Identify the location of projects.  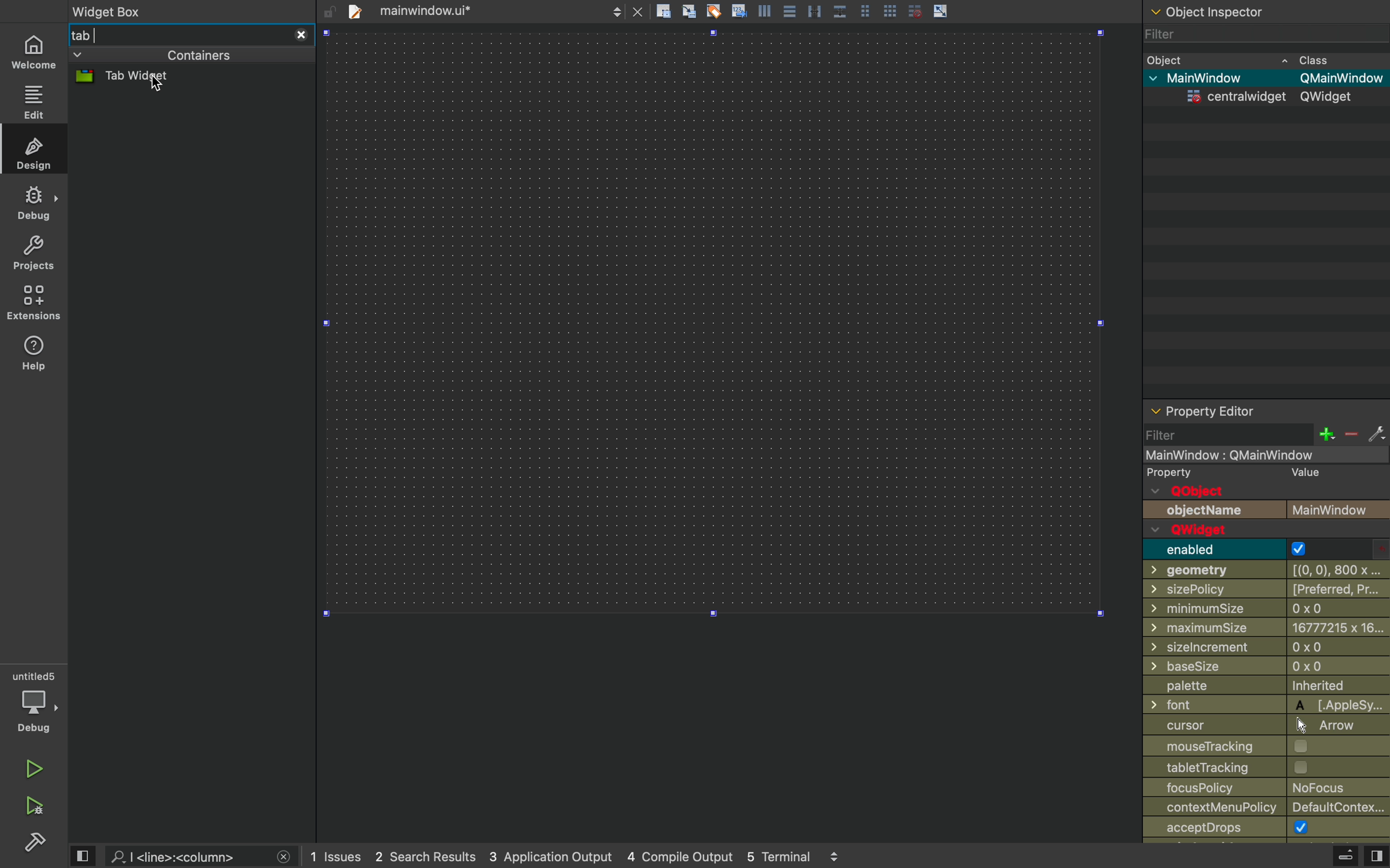
(36, 253).